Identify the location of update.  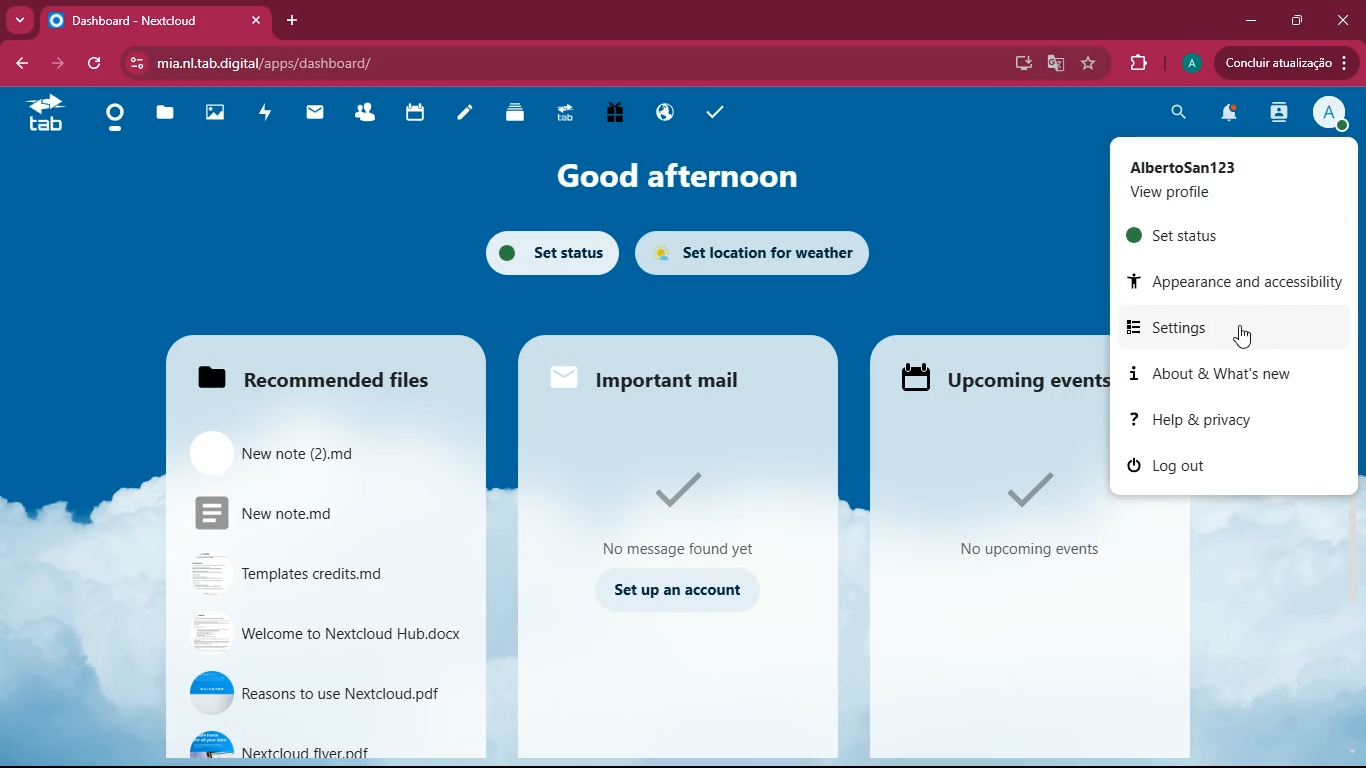
(1287, 64).